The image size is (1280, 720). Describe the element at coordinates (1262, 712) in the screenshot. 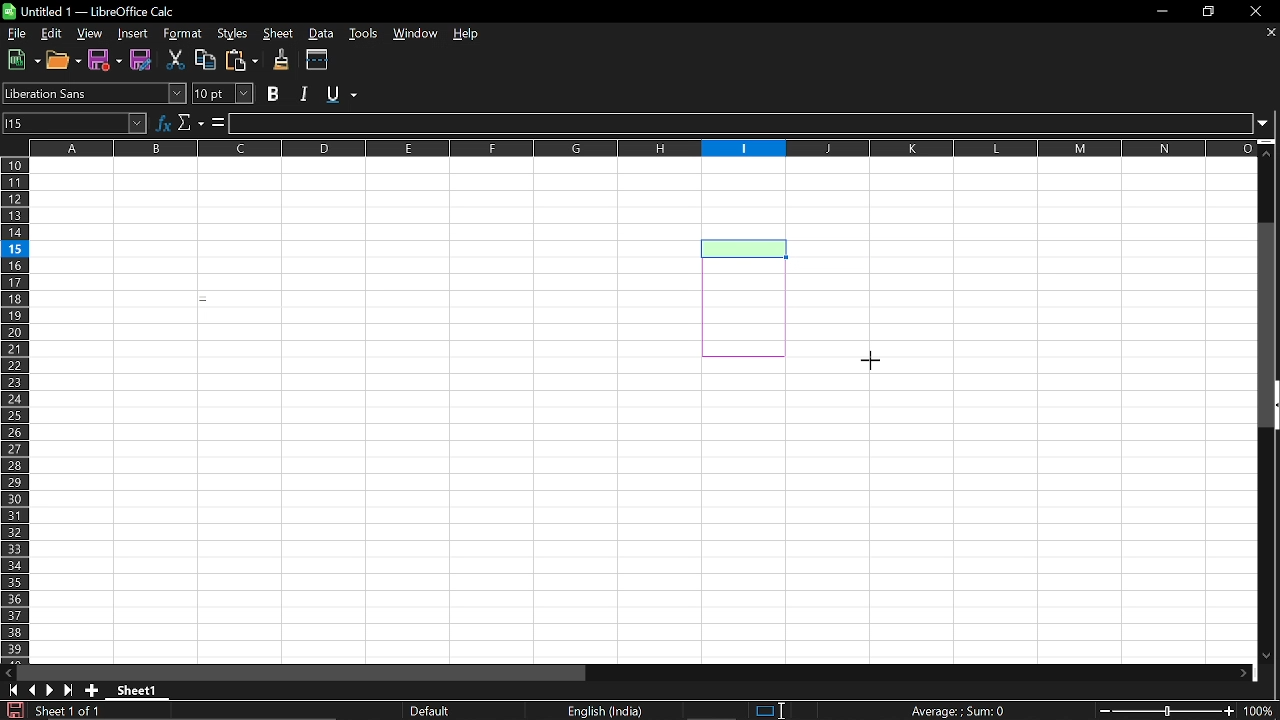

I see `Current Zoom` at that location.